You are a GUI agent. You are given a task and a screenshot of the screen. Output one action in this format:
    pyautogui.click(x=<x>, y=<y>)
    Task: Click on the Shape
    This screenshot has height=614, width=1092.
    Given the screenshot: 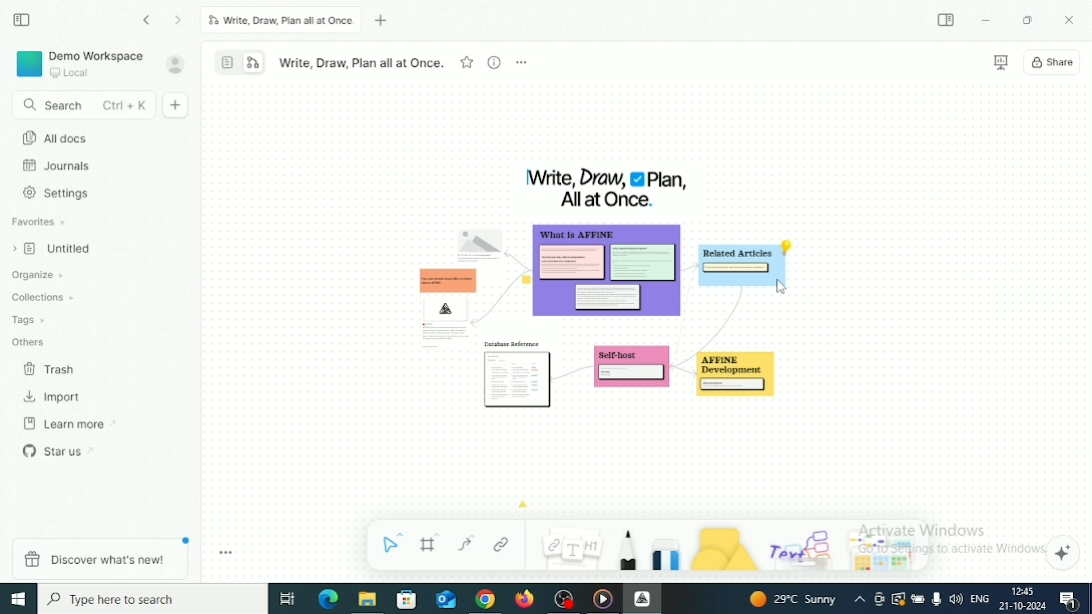 What is the action you would take?
    pyautogui.click(x=724, y=548)
    